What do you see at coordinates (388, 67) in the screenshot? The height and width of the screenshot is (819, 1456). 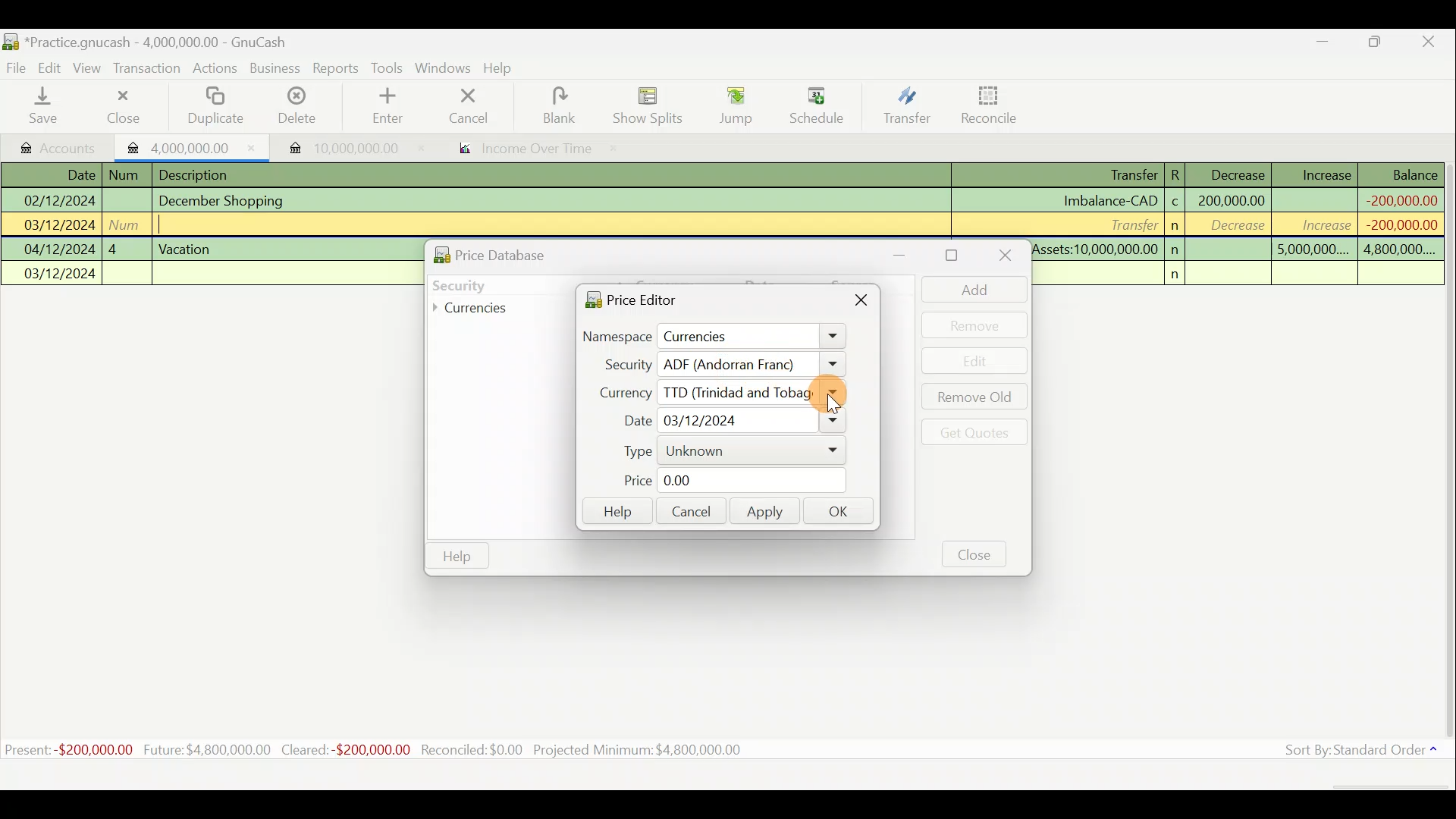 I see `Tools` at bounding box center [388, 67].